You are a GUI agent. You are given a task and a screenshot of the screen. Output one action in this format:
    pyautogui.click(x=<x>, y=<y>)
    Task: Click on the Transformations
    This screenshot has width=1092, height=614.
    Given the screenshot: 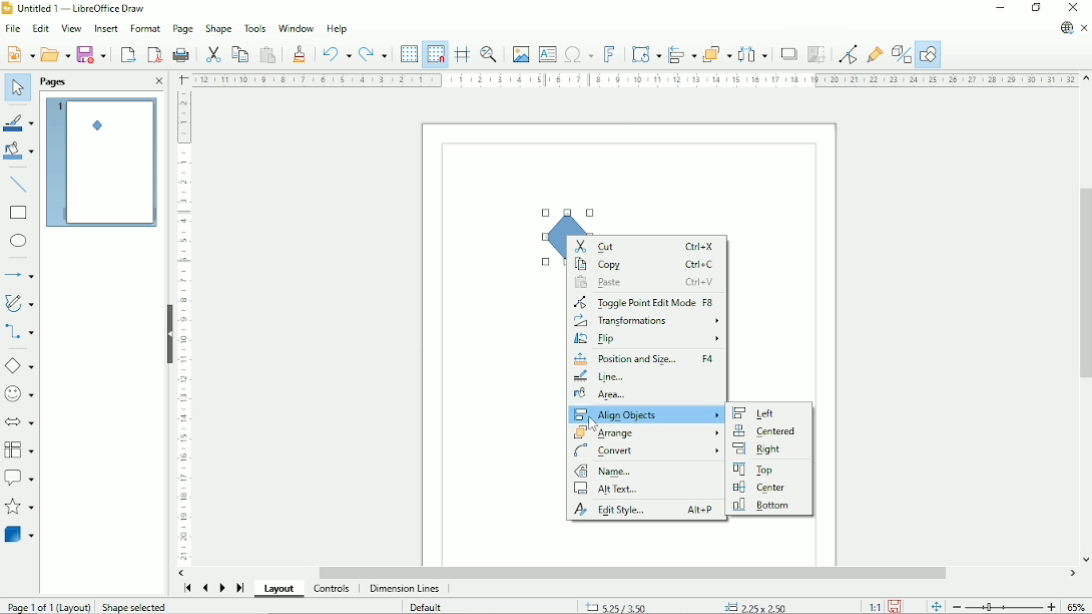 What is the action you would take?
    pyautogui.click(x=647, y=322)
    